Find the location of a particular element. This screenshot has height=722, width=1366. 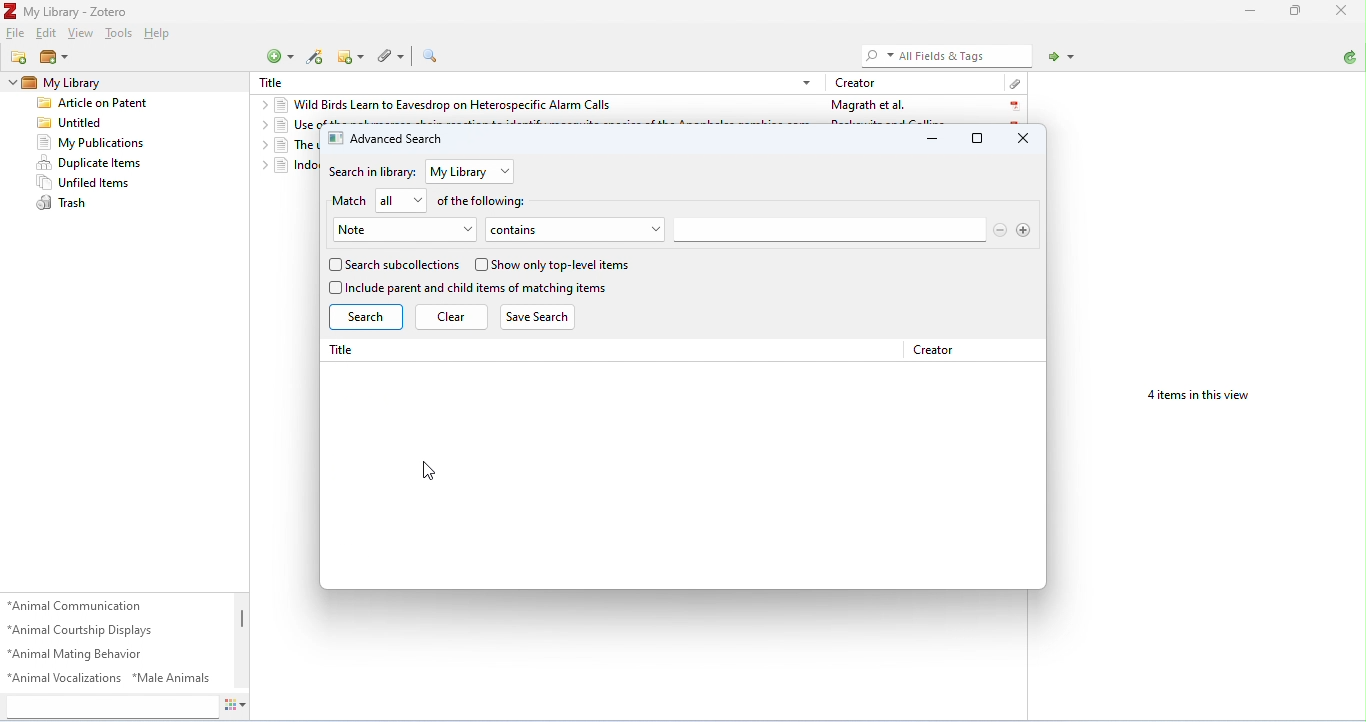

drop-down is located at coordinates (419, 200).